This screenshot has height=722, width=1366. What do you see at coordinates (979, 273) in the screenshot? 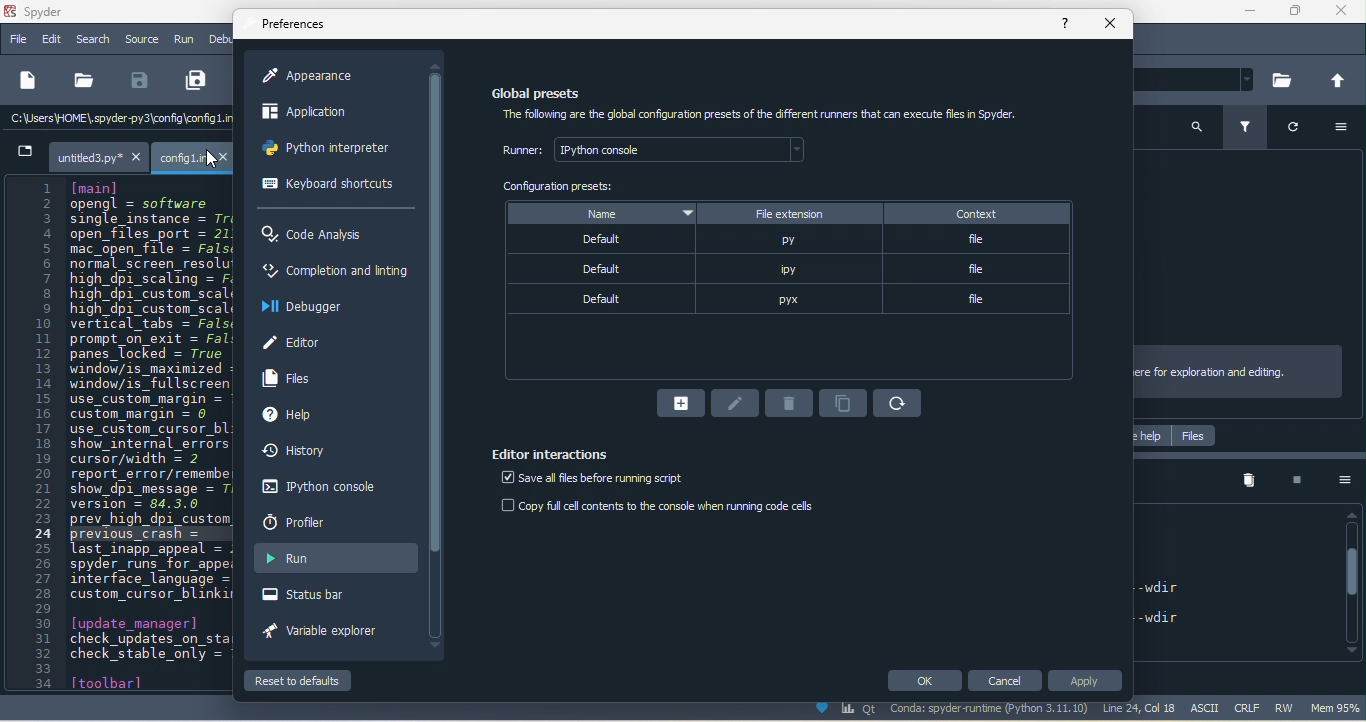
I see `file` at bounding box center [979, 273].